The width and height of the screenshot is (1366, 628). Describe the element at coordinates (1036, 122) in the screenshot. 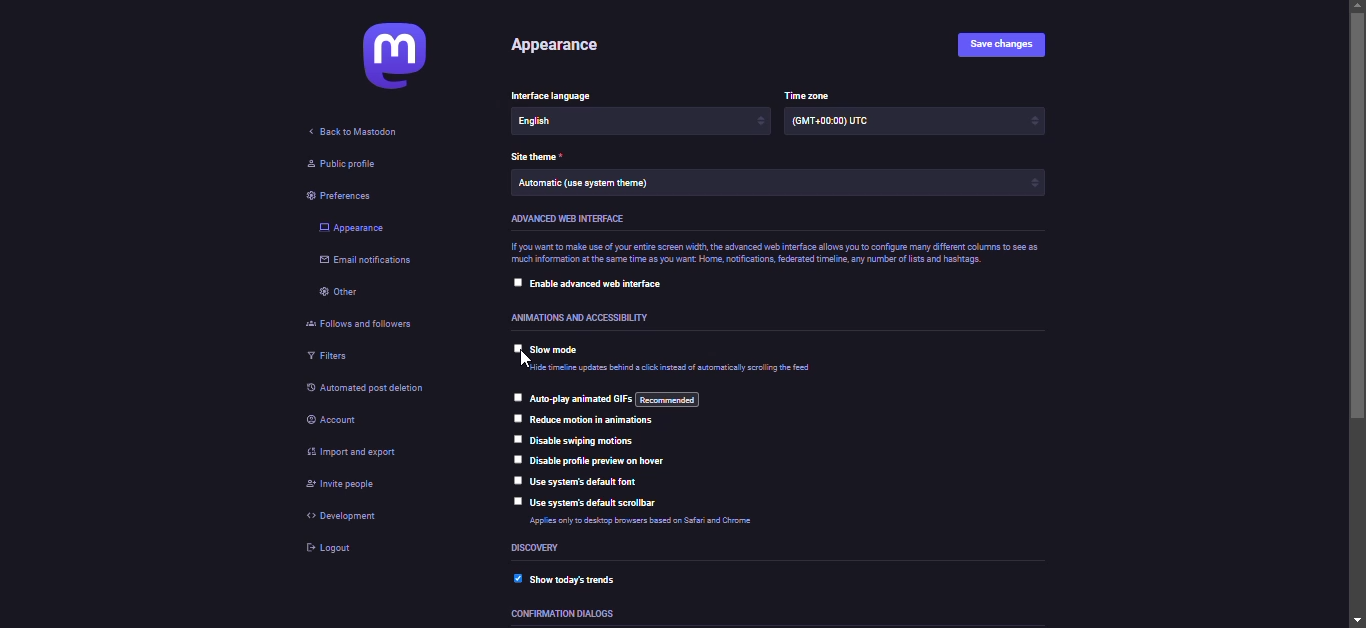

I see `increase/decrease arrows` at that location.